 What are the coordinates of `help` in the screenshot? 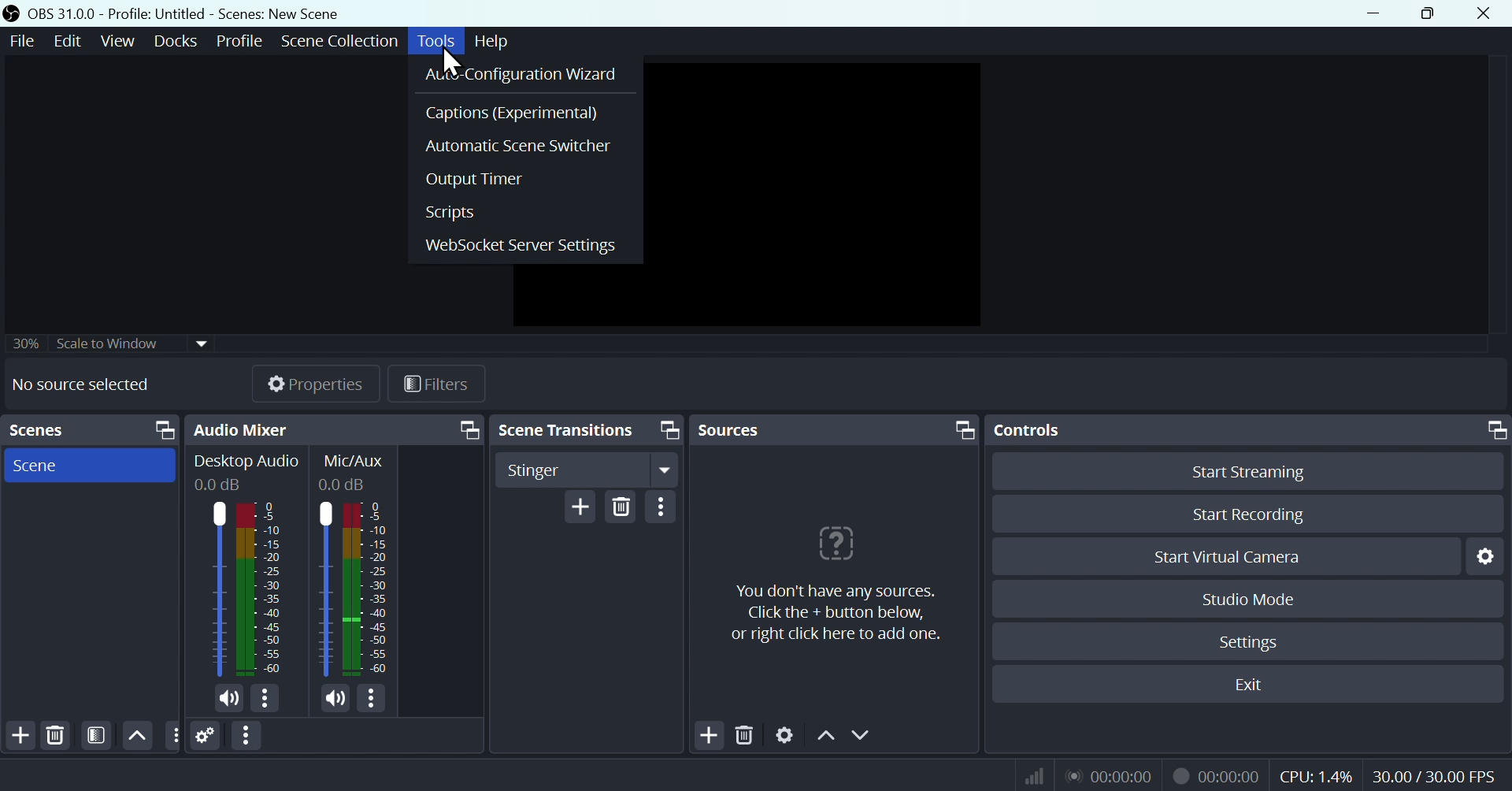 It's located at (494, 39).